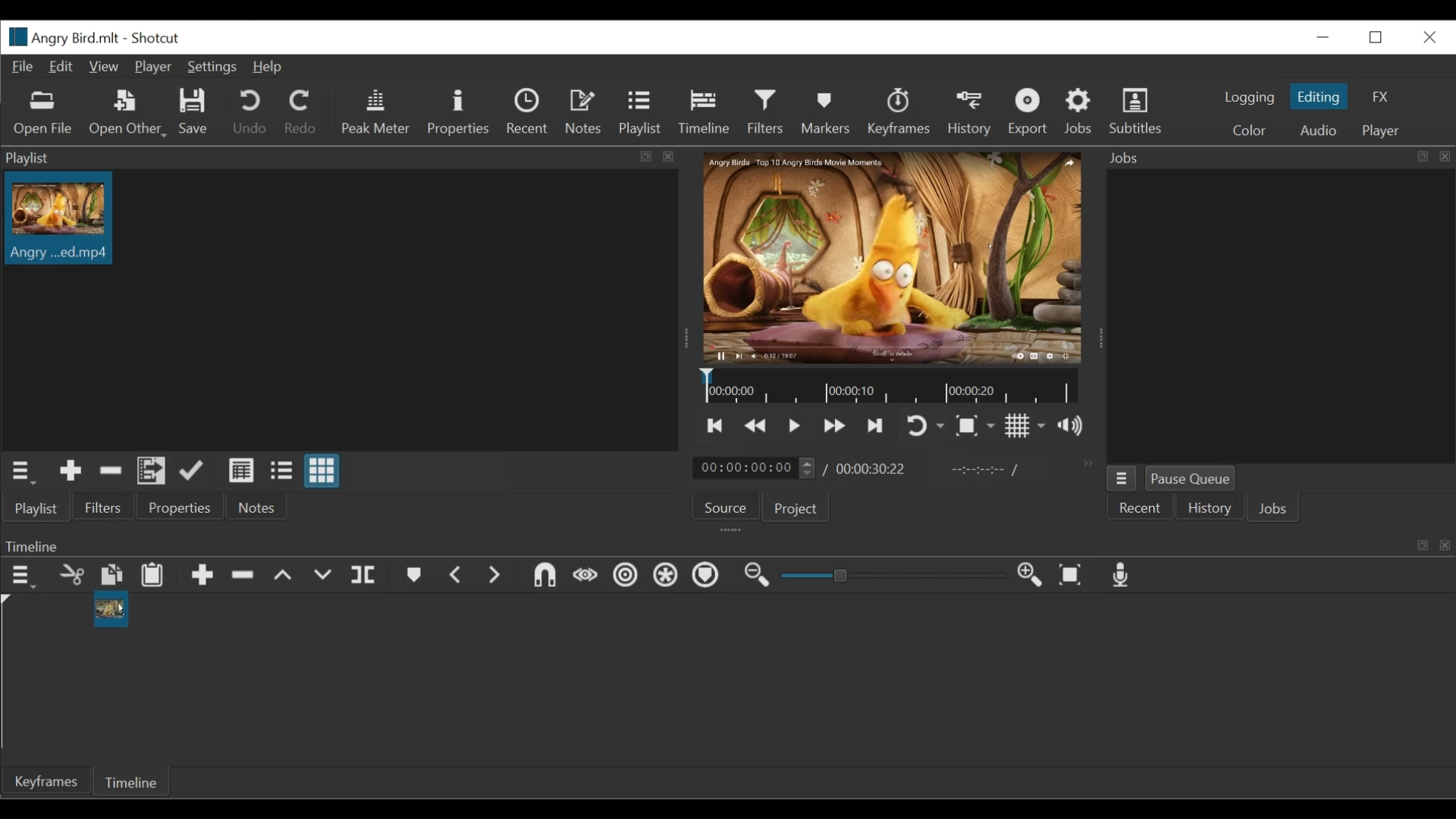 The image size is (1456, 819). I want to click on Ripple all tracks, so click(667, 577).